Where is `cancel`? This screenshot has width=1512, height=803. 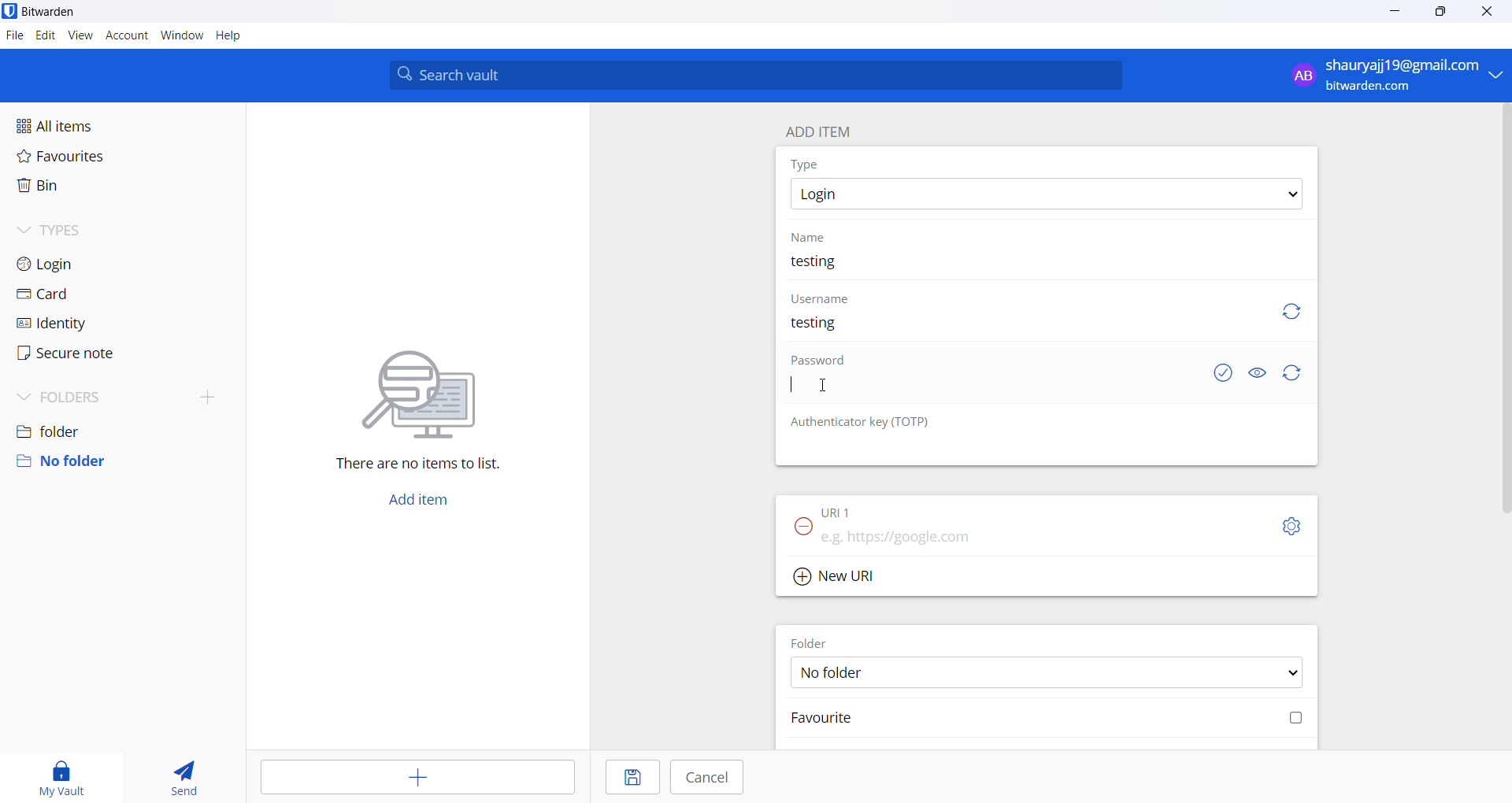
cancel is located at coordinates (706, 777).